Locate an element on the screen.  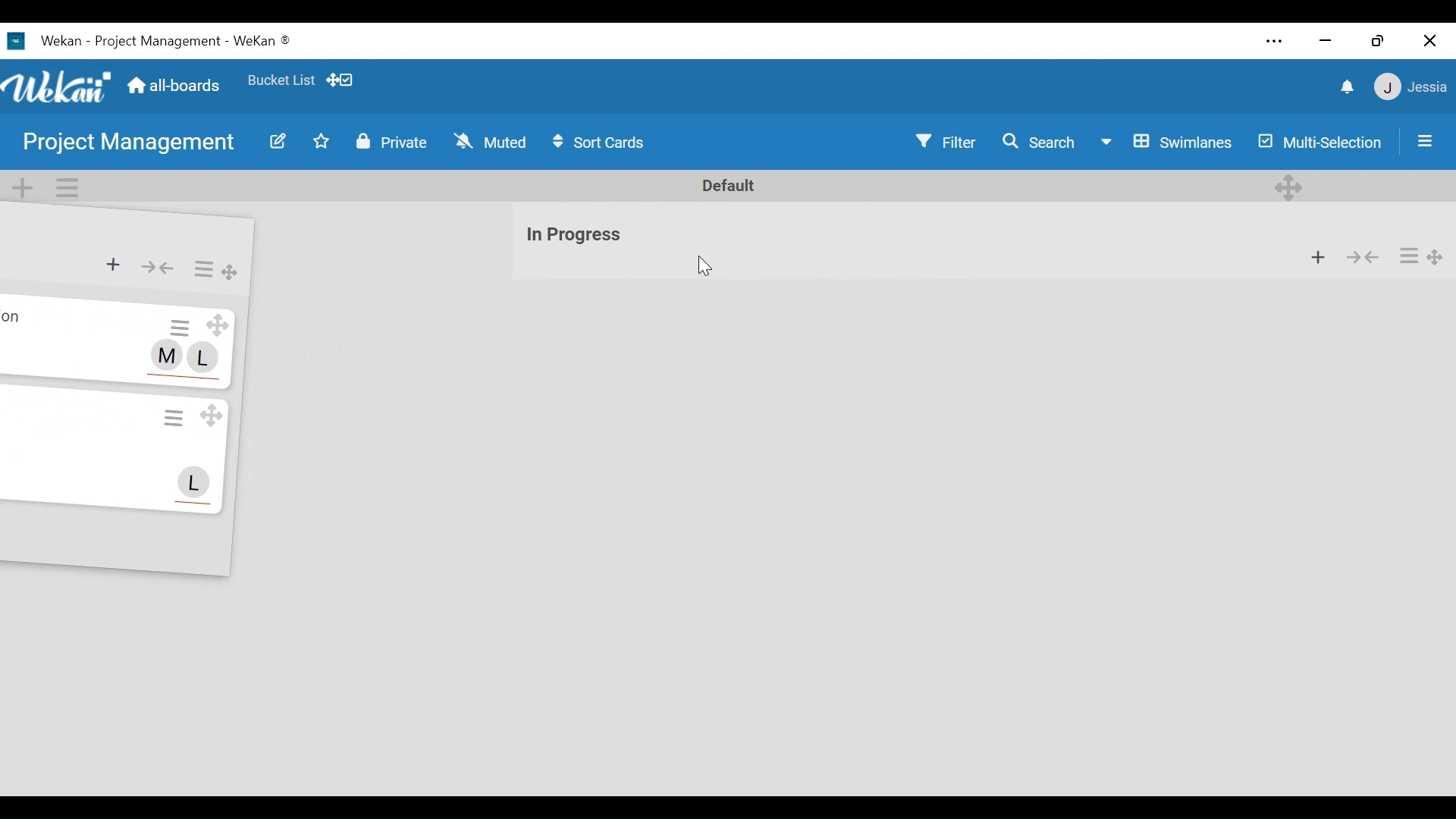
Wekan - Project Management - WeKan ® is located at coordinates (169, 41).